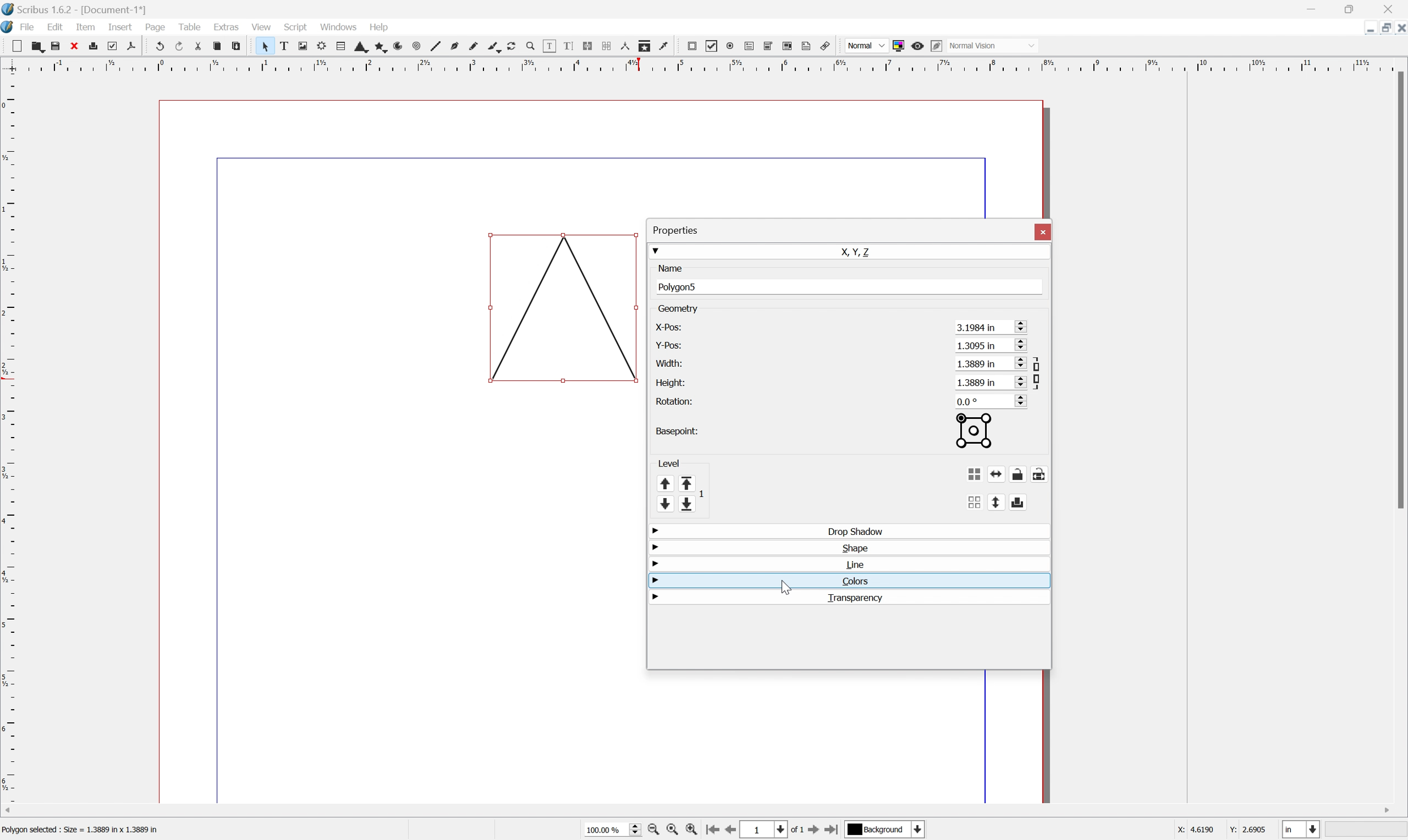  Describe the element at coordinates (867, 45) in the screenshot. I see `Normal` at that location.